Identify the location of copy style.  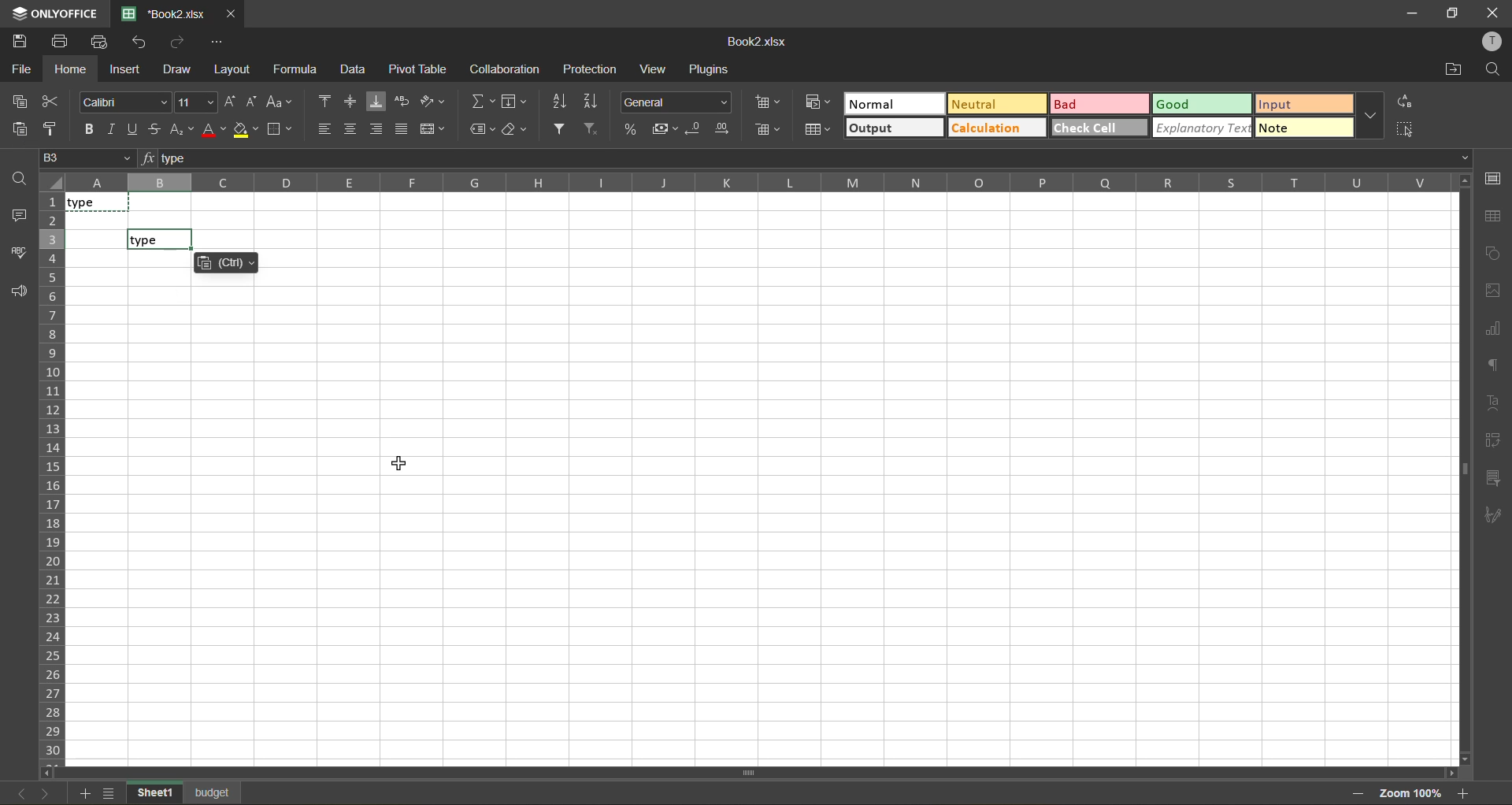
(53, 129).